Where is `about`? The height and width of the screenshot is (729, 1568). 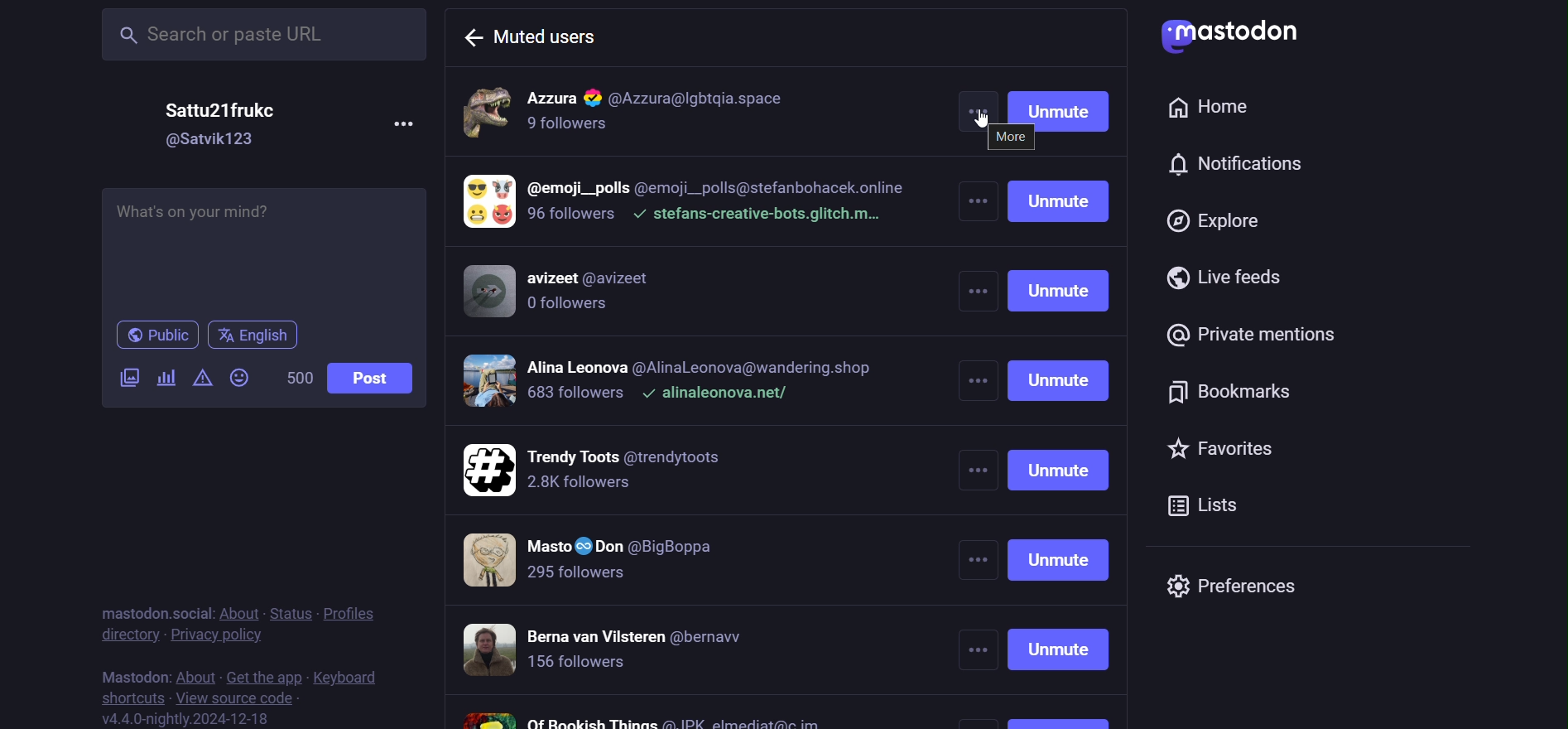
about is located at coordinates (240, 612).